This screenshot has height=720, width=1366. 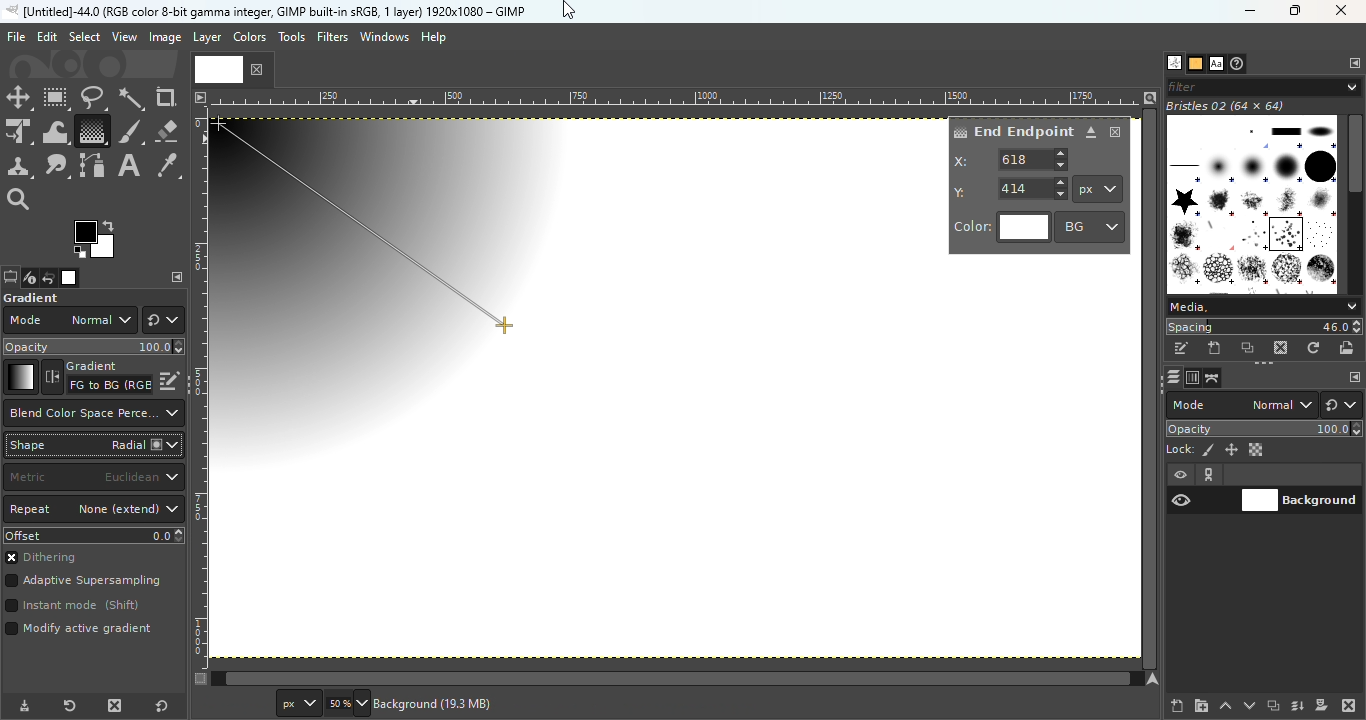 I want to click on Edit this brush, so click(x=1181, y=349).